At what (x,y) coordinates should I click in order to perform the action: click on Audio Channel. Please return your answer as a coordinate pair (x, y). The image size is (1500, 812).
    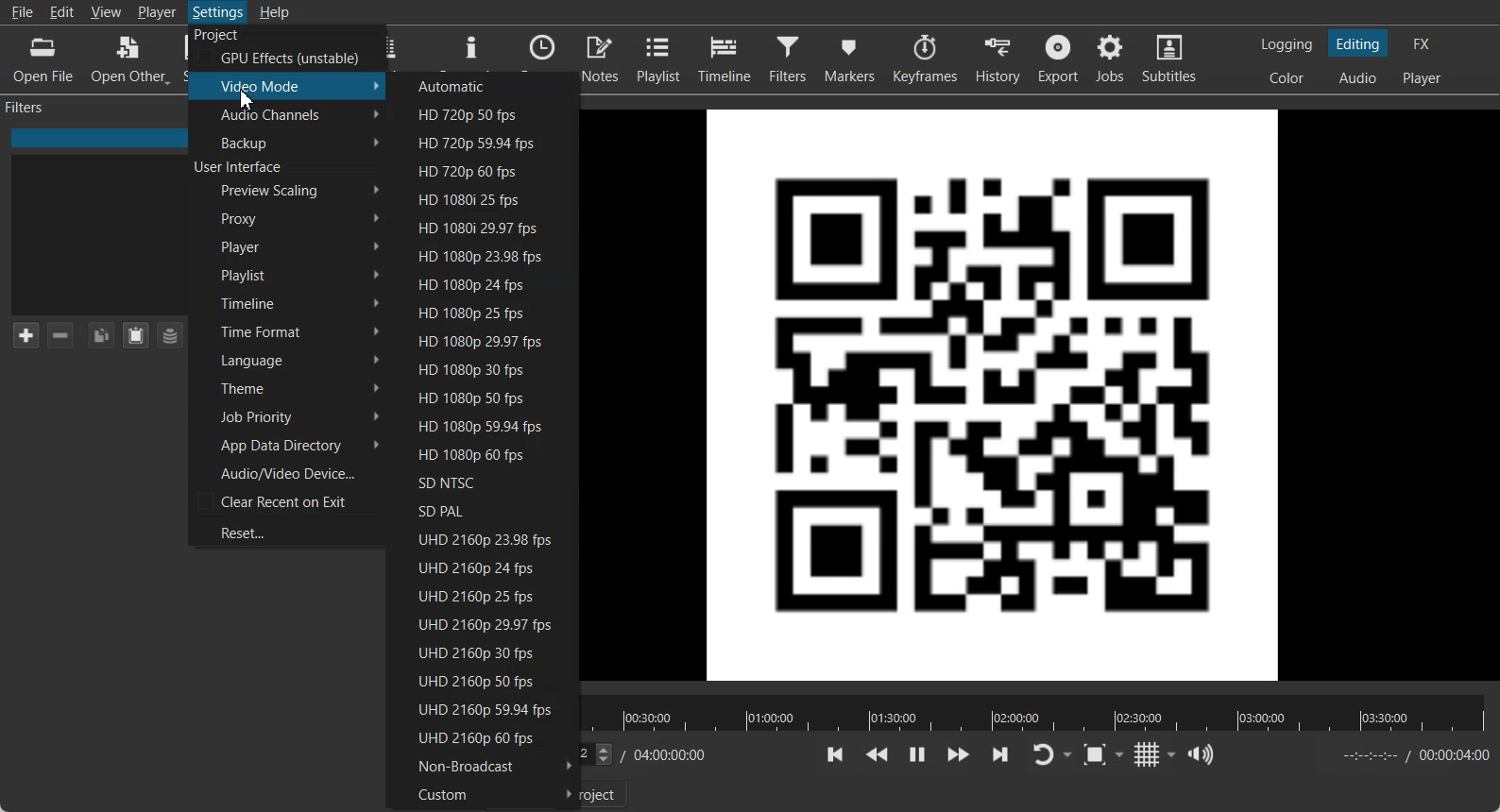
    Looking at the image, I should click on (287, 114).